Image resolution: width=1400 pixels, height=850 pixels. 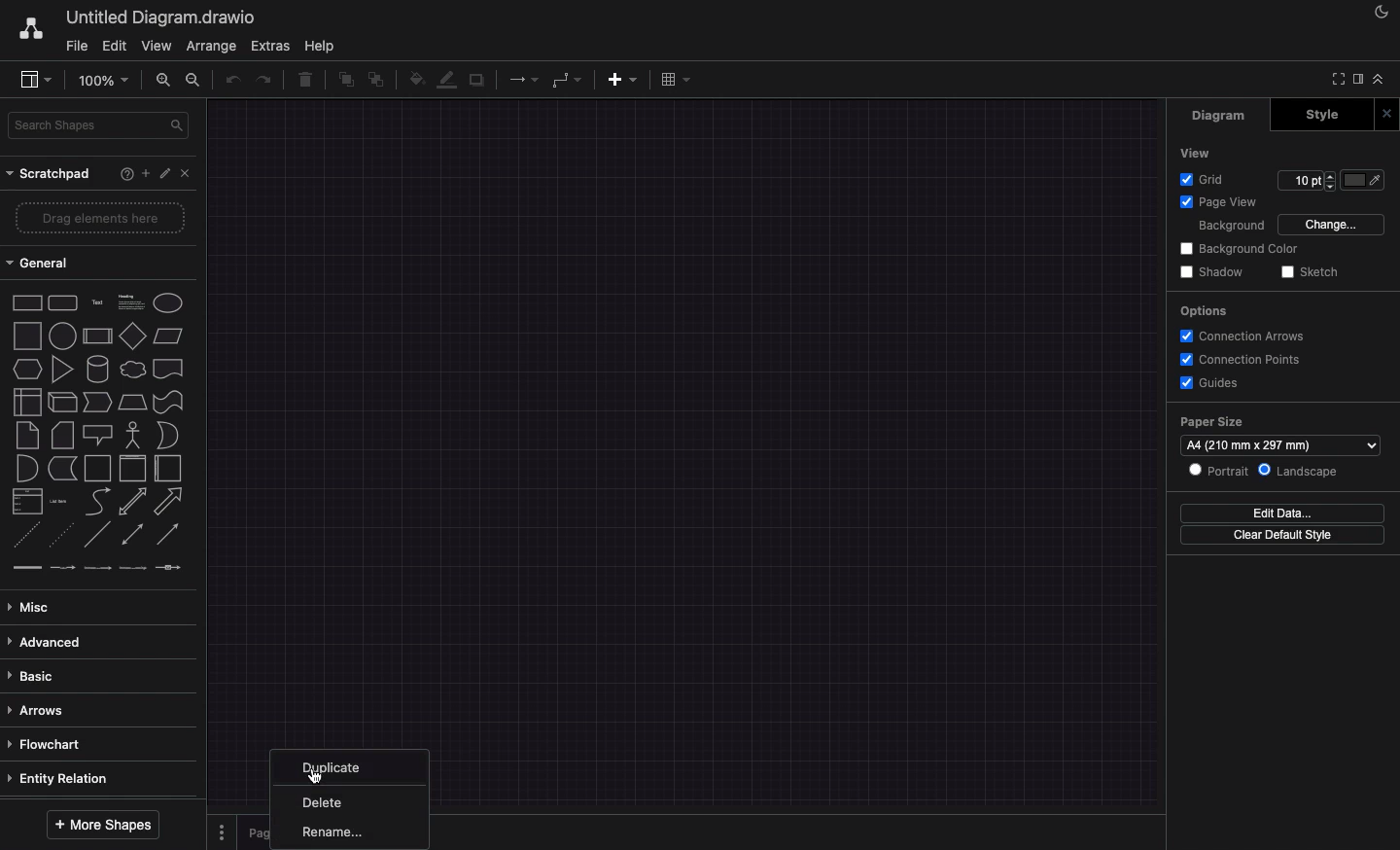 What do you see at coordinates (686, 425) in the screenshot?
I see `canvas` at bounding box center [686, 425].